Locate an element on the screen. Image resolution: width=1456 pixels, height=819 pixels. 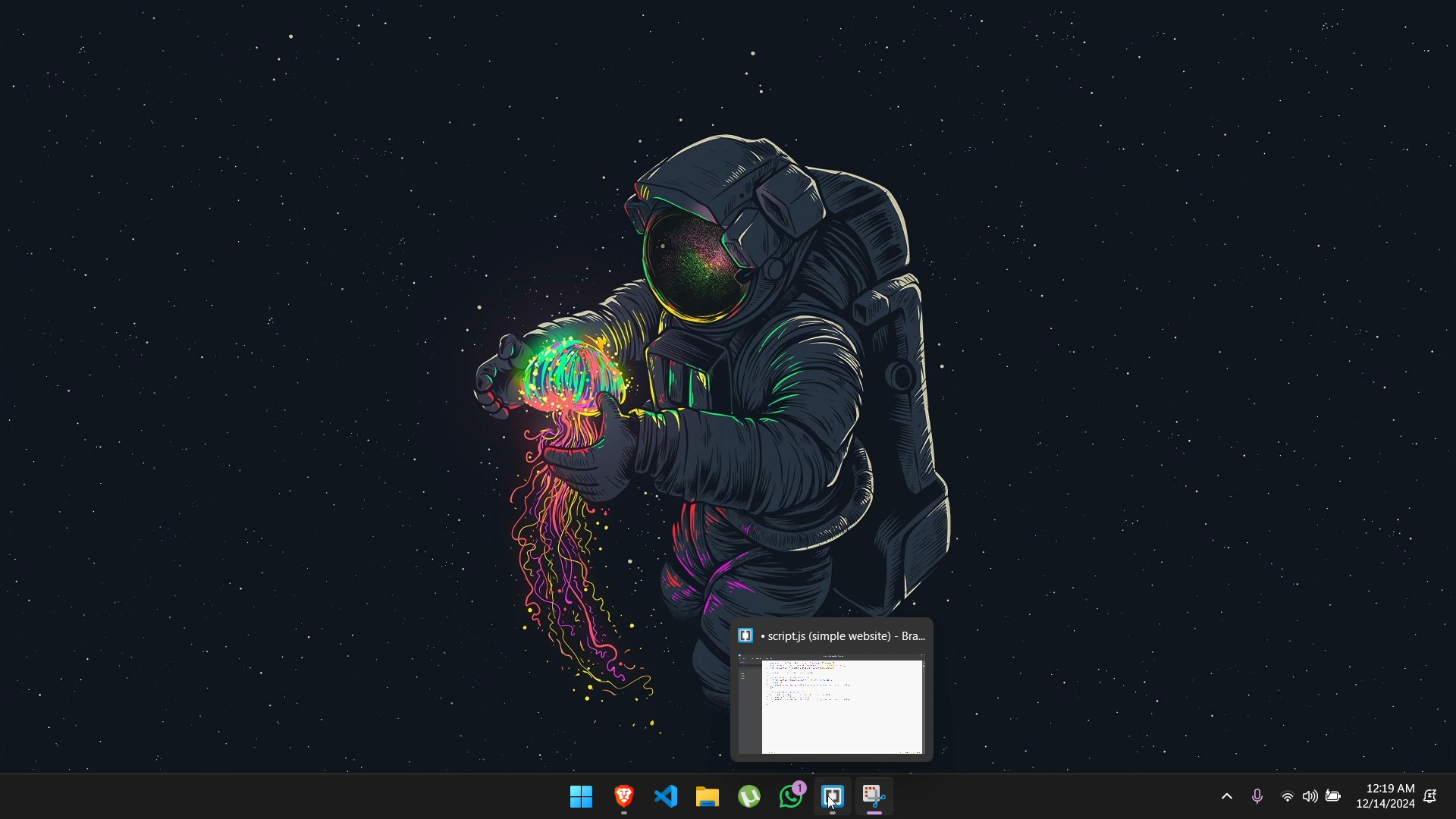
whatsapp is located at coordinates (790, 795).